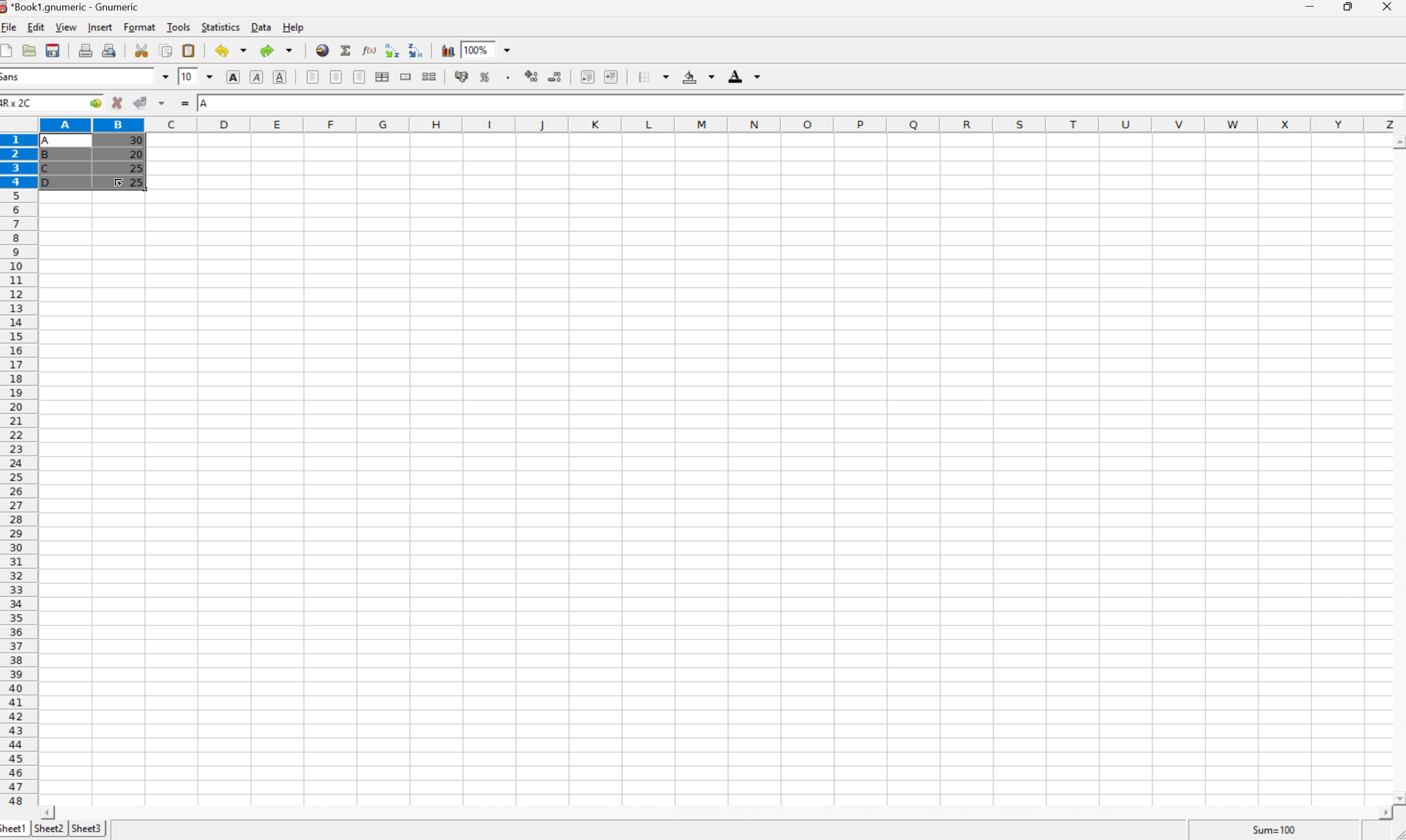  What do you see at coordinates (48, 169) in the screenshot?
I see `C` at bounding box center [48, 169].